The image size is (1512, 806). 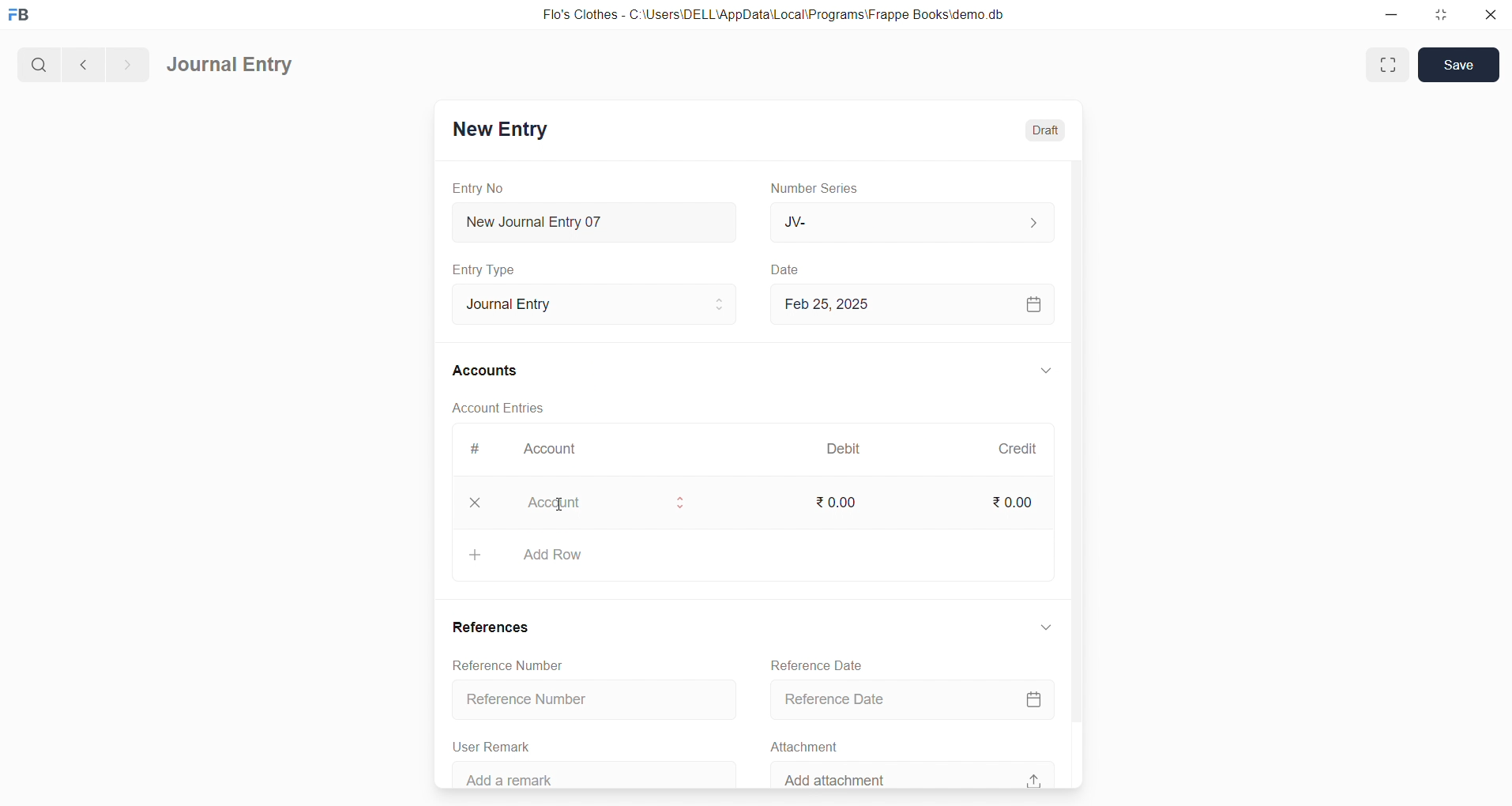 I want to click on Date, so click(x=785, y=269).